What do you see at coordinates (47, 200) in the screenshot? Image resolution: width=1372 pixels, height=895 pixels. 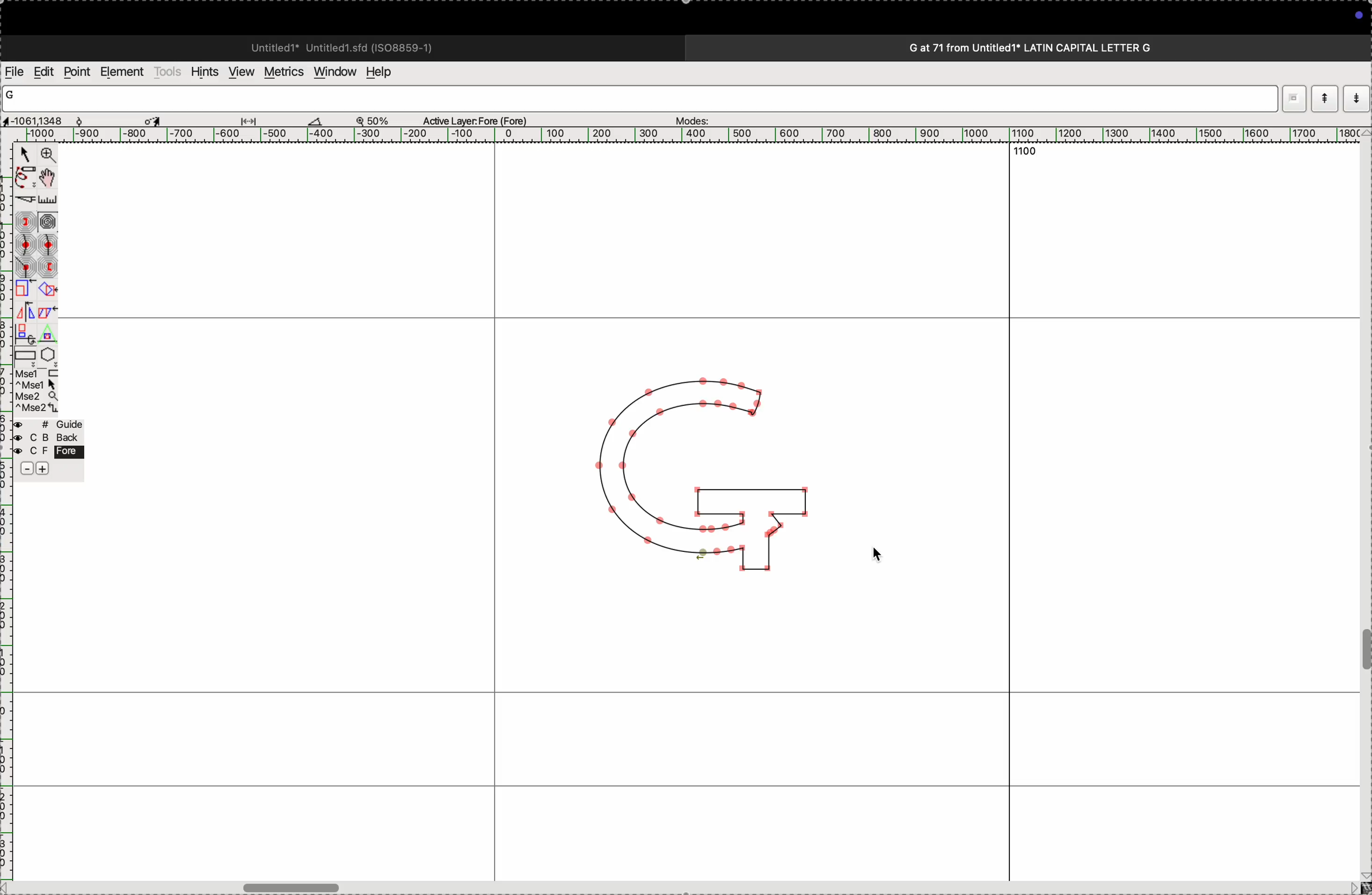 I see `ruler` at bounding box center [47, 200].